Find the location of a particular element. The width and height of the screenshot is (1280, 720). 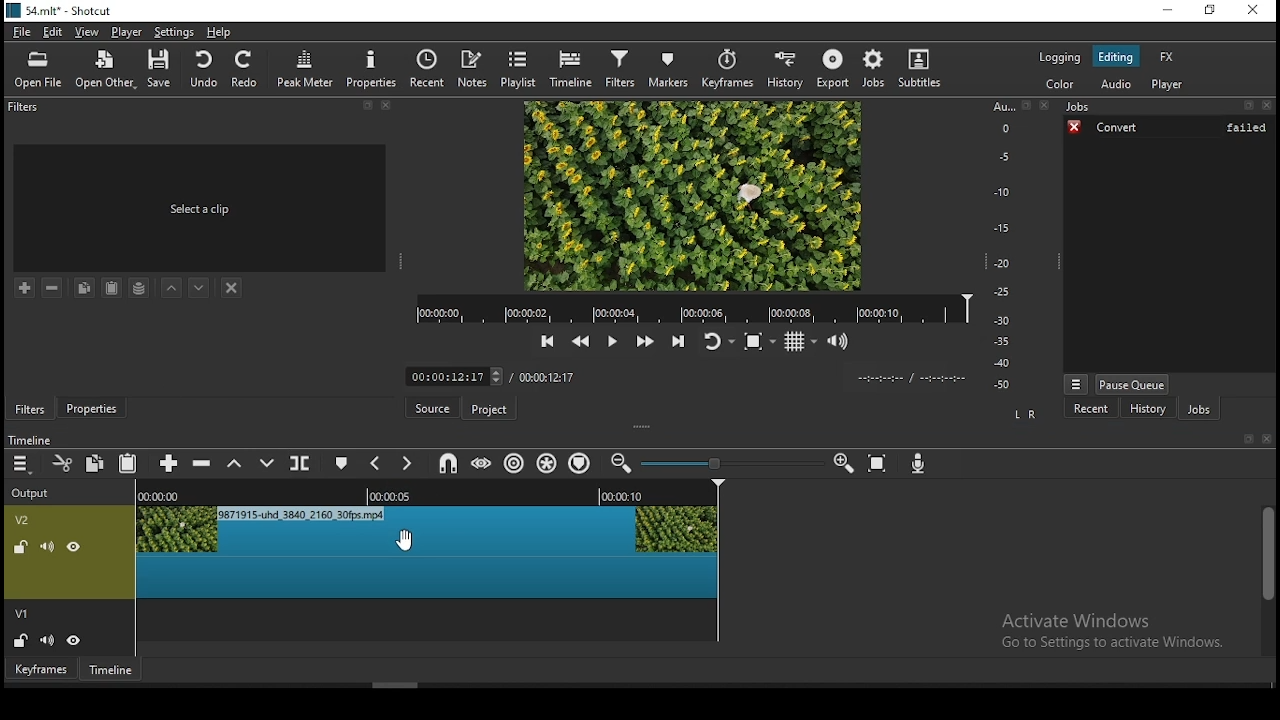

create/edit marker is located at coordinates (339, 464).